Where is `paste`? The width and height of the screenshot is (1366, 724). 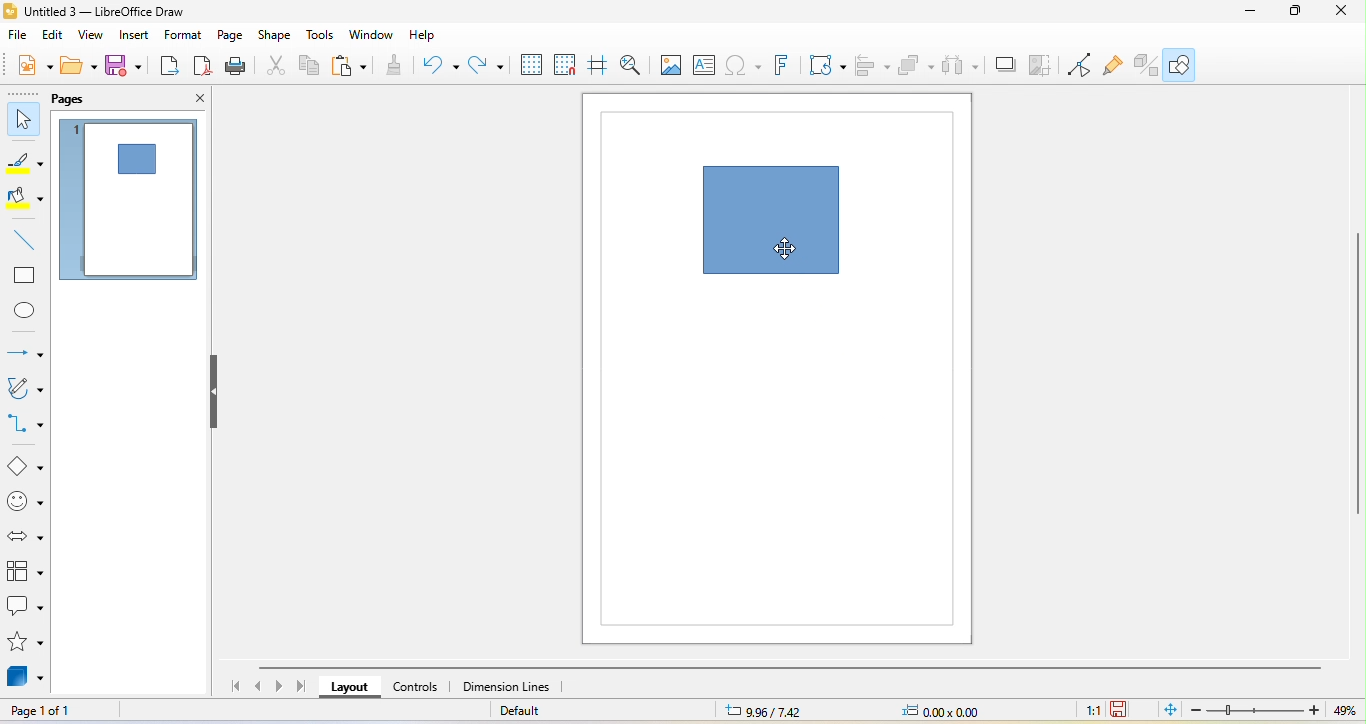 paste is located at coordinates (353, 68).